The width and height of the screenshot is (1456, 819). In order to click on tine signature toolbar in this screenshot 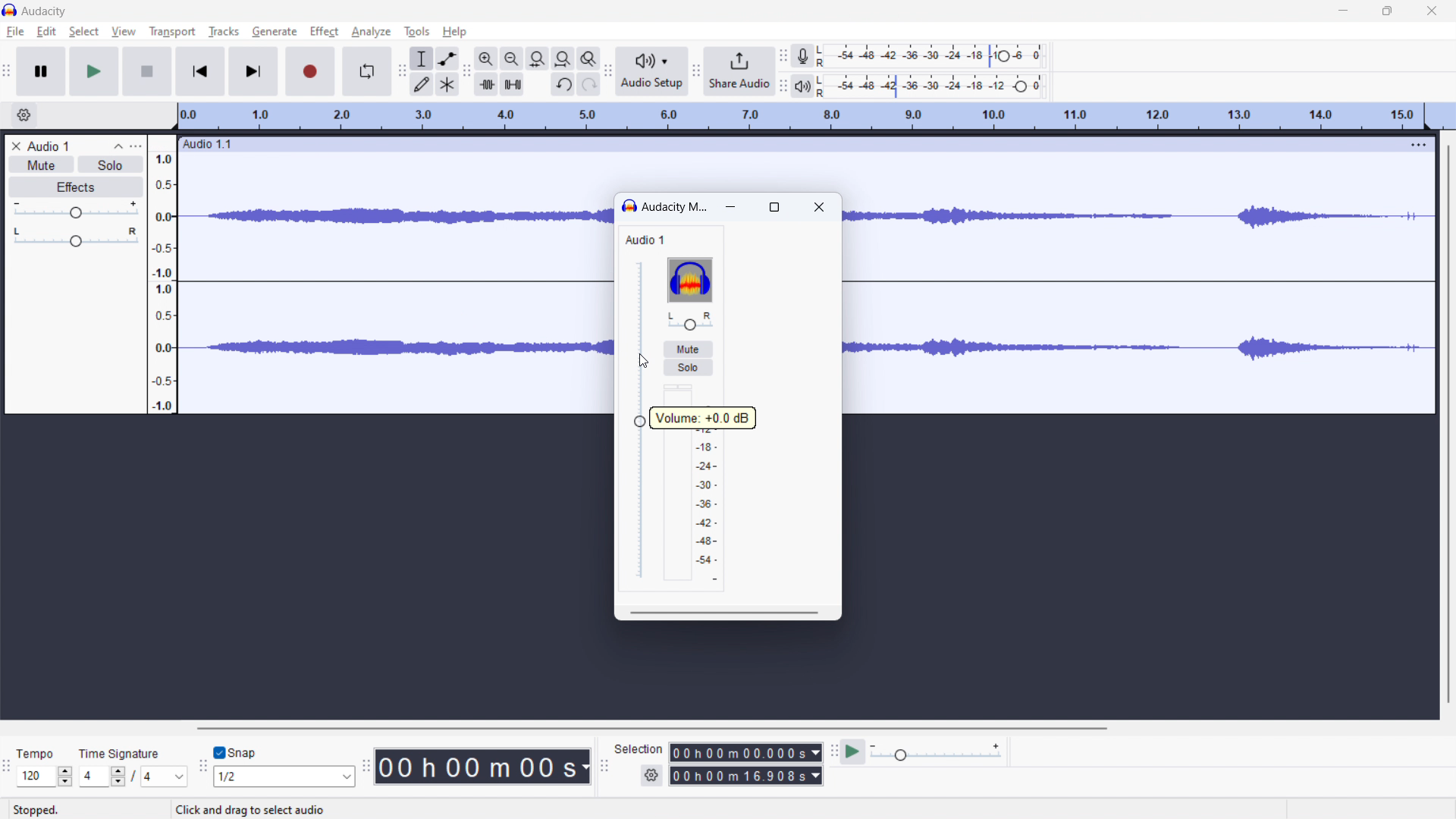, I will do `click(7, 766)`.